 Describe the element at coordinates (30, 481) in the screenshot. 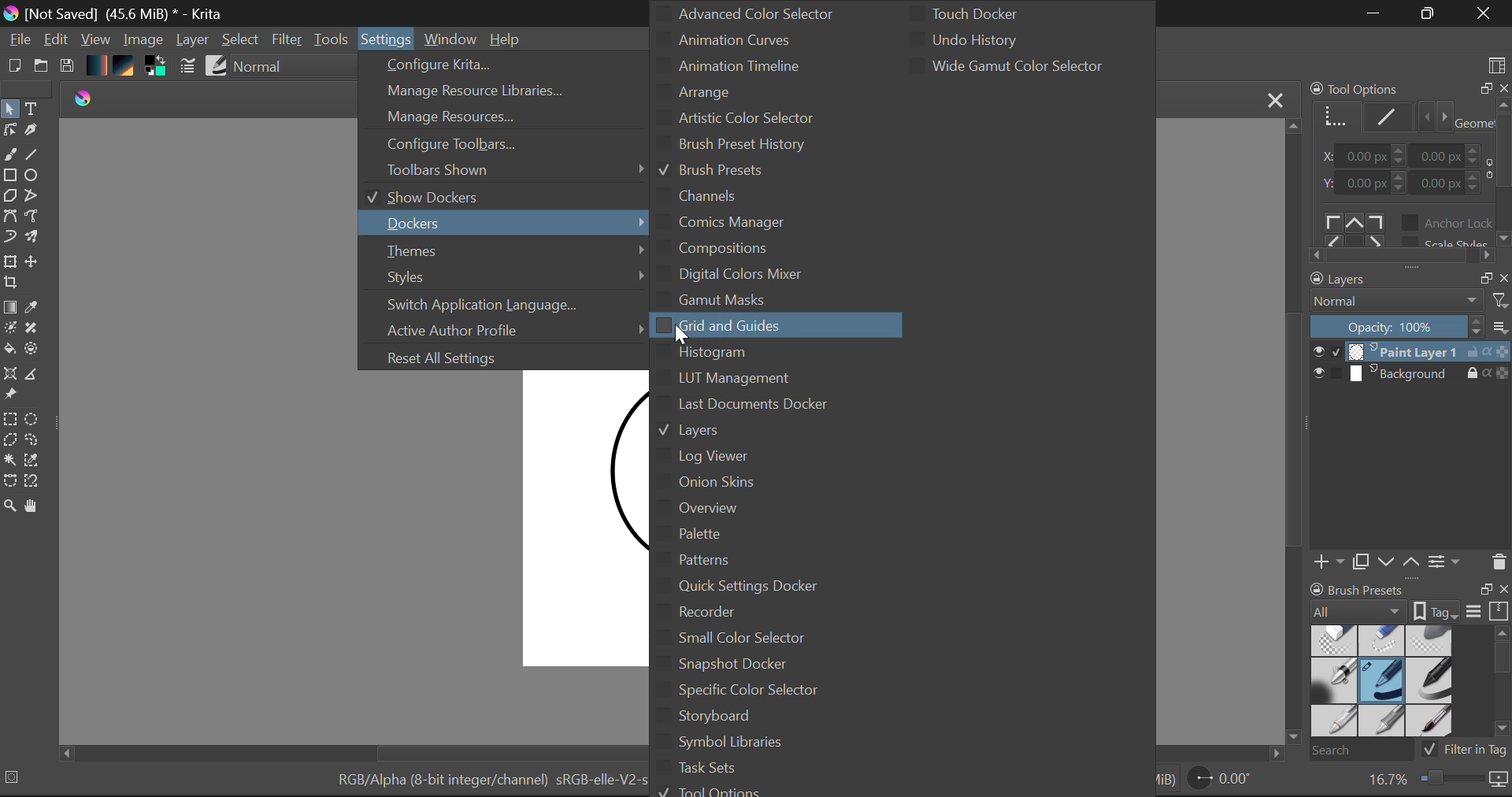

I see `Magnetic Selection` at that location.